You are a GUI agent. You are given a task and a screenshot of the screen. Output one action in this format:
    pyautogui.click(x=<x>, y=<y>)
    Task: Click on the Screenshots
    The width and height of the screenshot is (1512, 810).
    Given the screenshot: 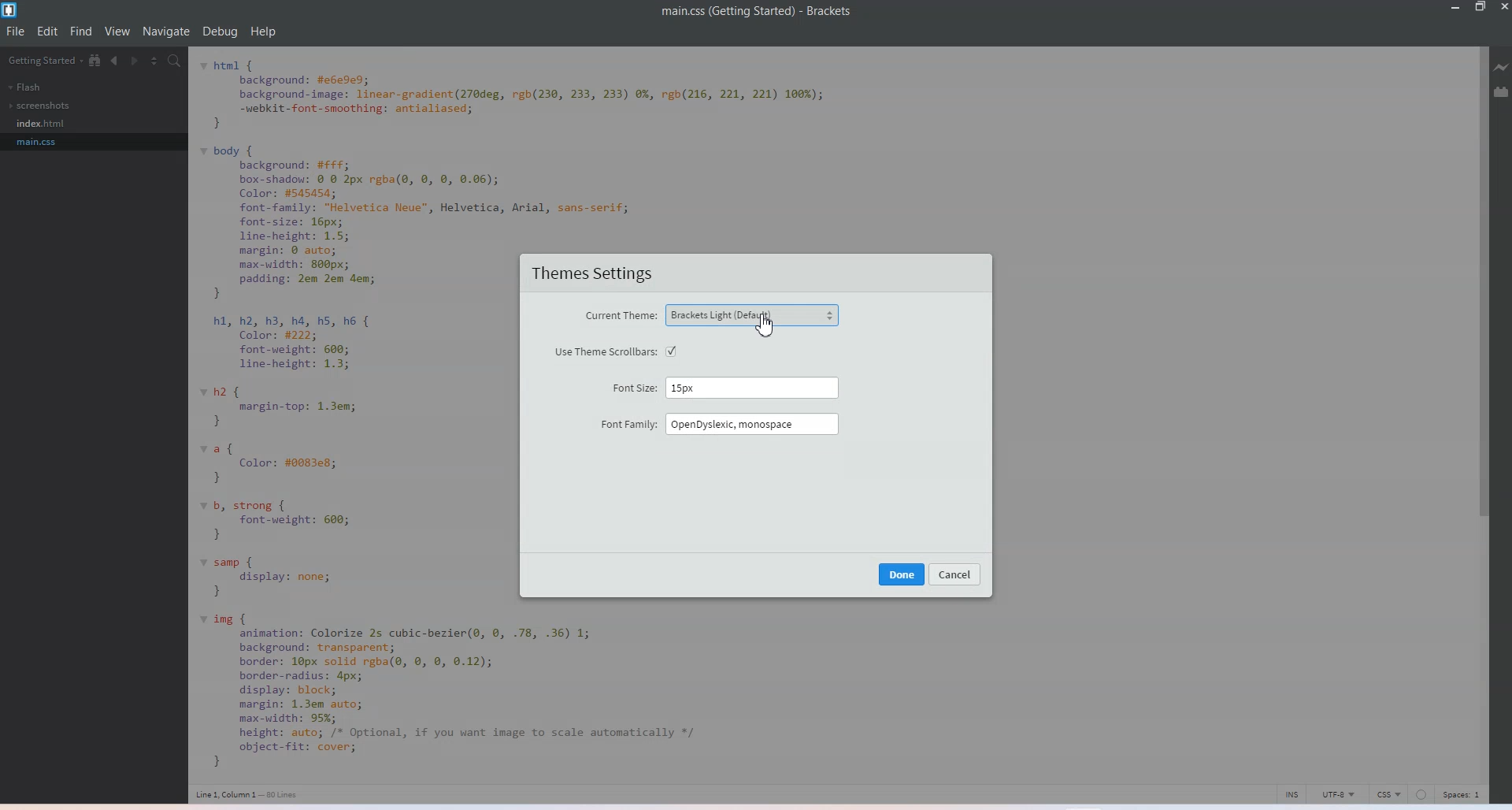 What is the action you would take?
    pyautogui.click(x=40, y=106)
    